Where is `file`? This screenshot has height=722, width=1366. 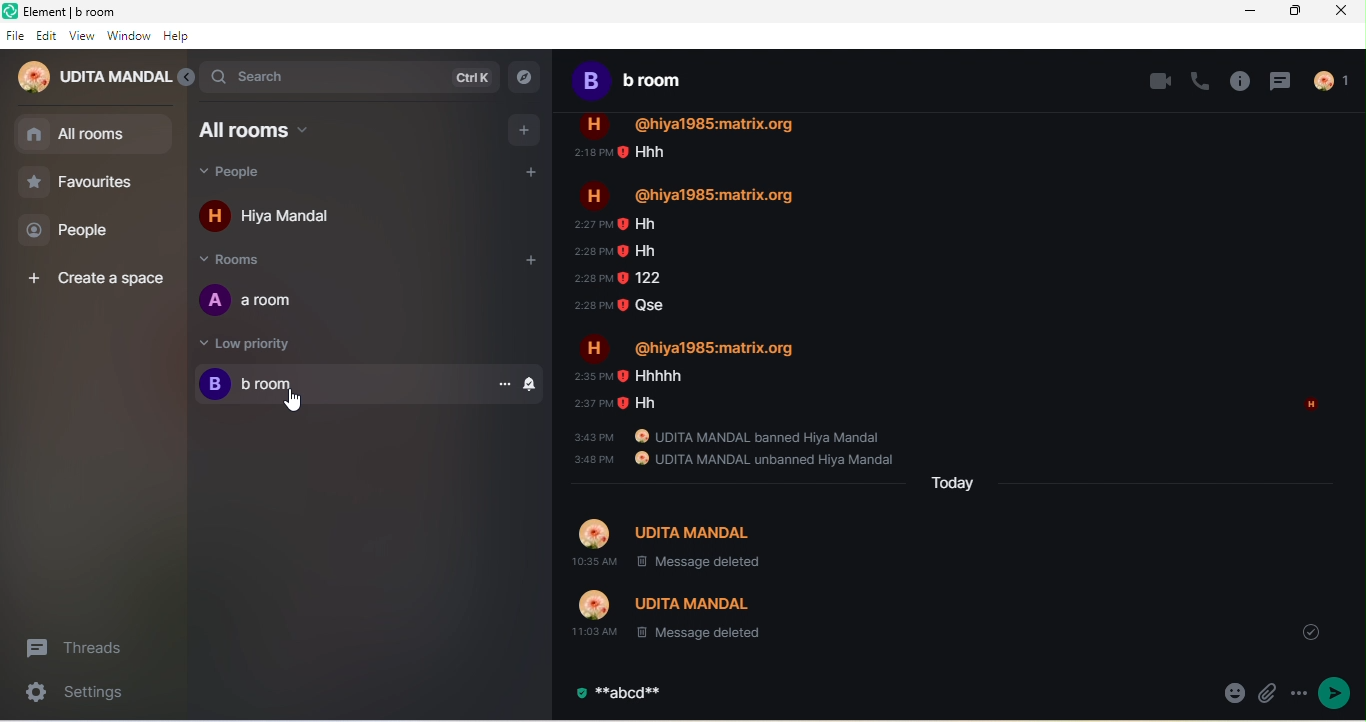
file is located at coordinates (15, 37).